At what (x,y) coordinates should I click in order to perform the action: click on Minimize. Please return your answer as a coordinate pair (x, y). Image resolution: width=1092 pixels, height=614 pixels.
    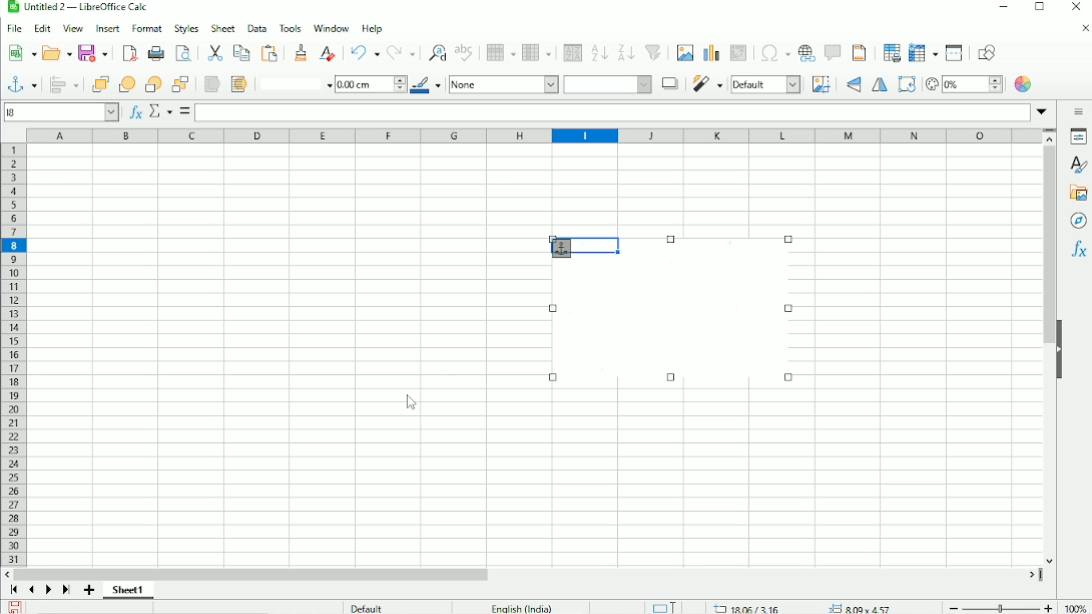
    Looking at the image, I should click on (1001, 8).